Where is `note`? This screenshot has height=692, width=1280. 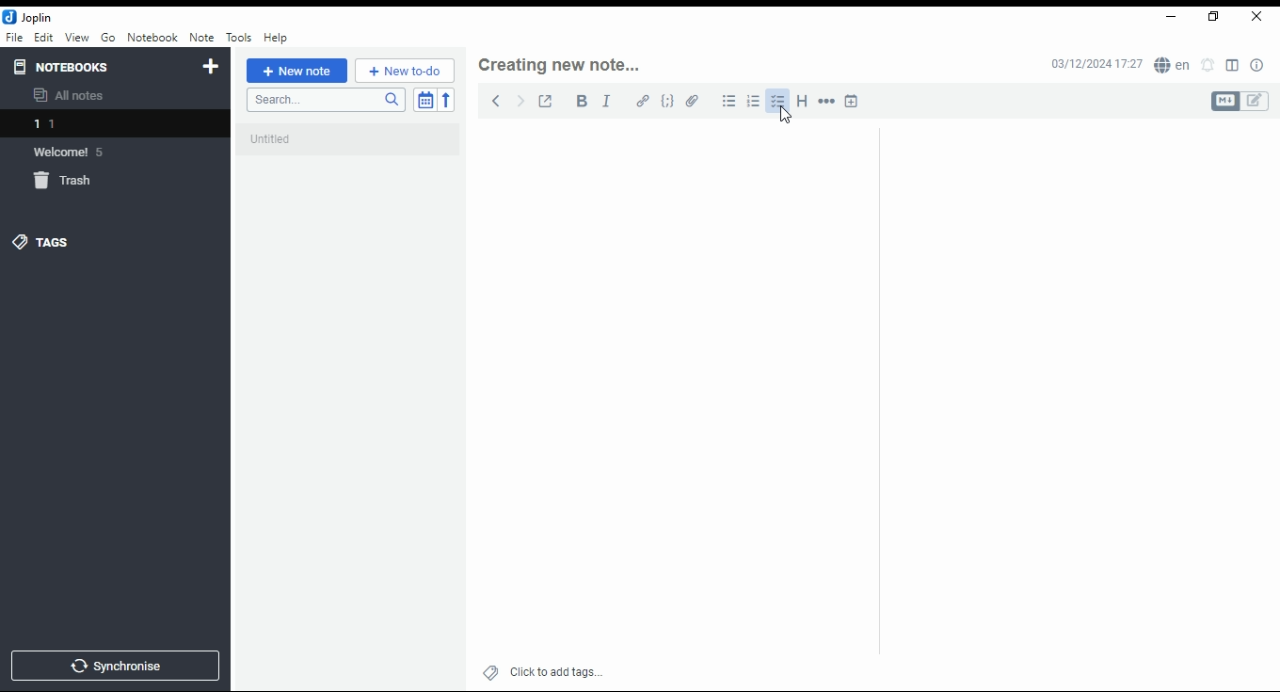 note is located at coordinates (201, 38).